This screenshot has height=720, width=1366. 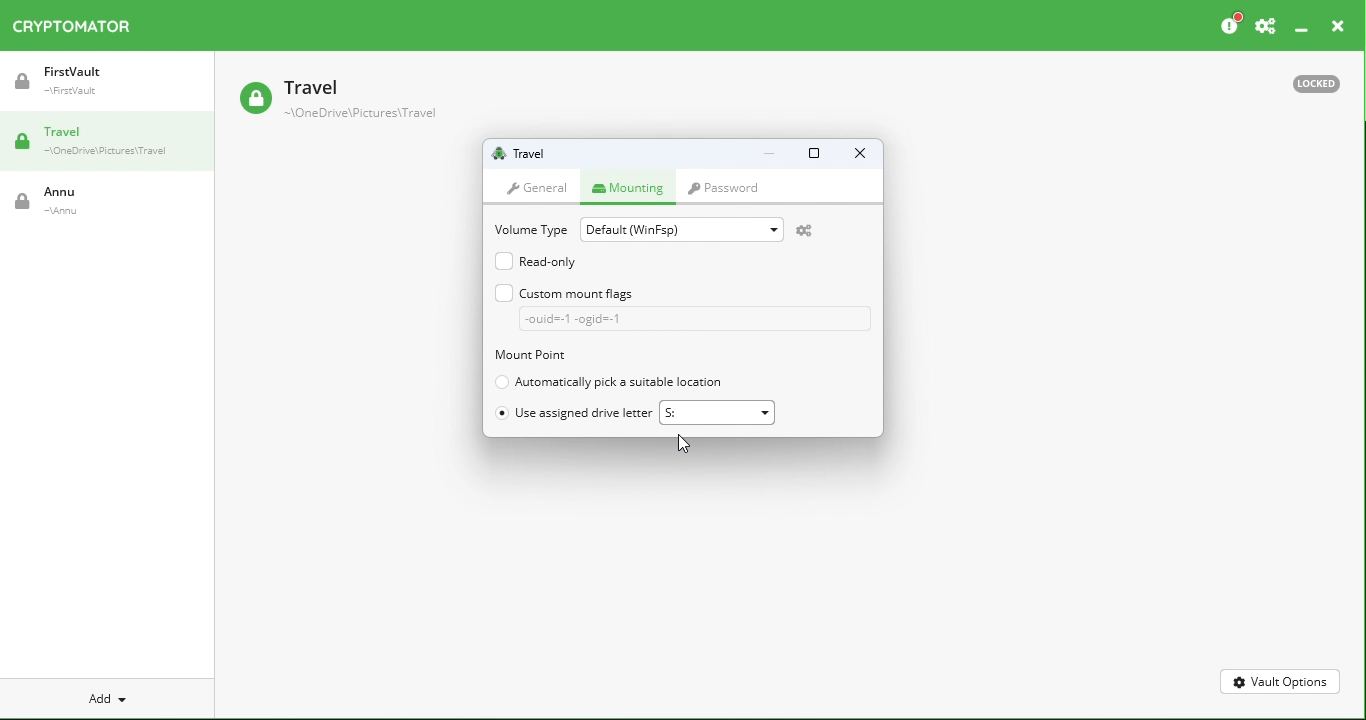 I want to click on Travel, so click(x=109, y=145).